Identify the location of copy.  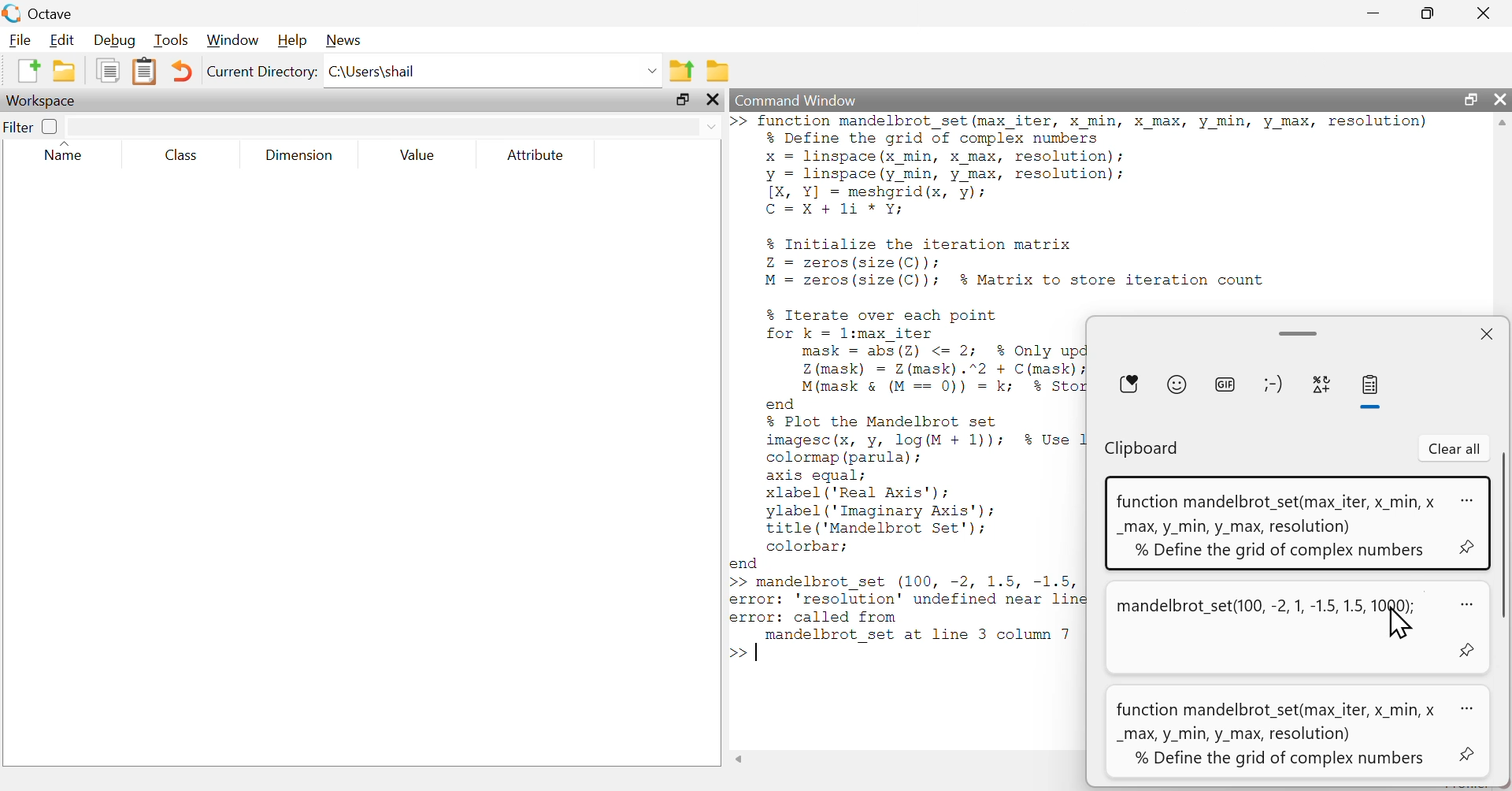
(107, 71).